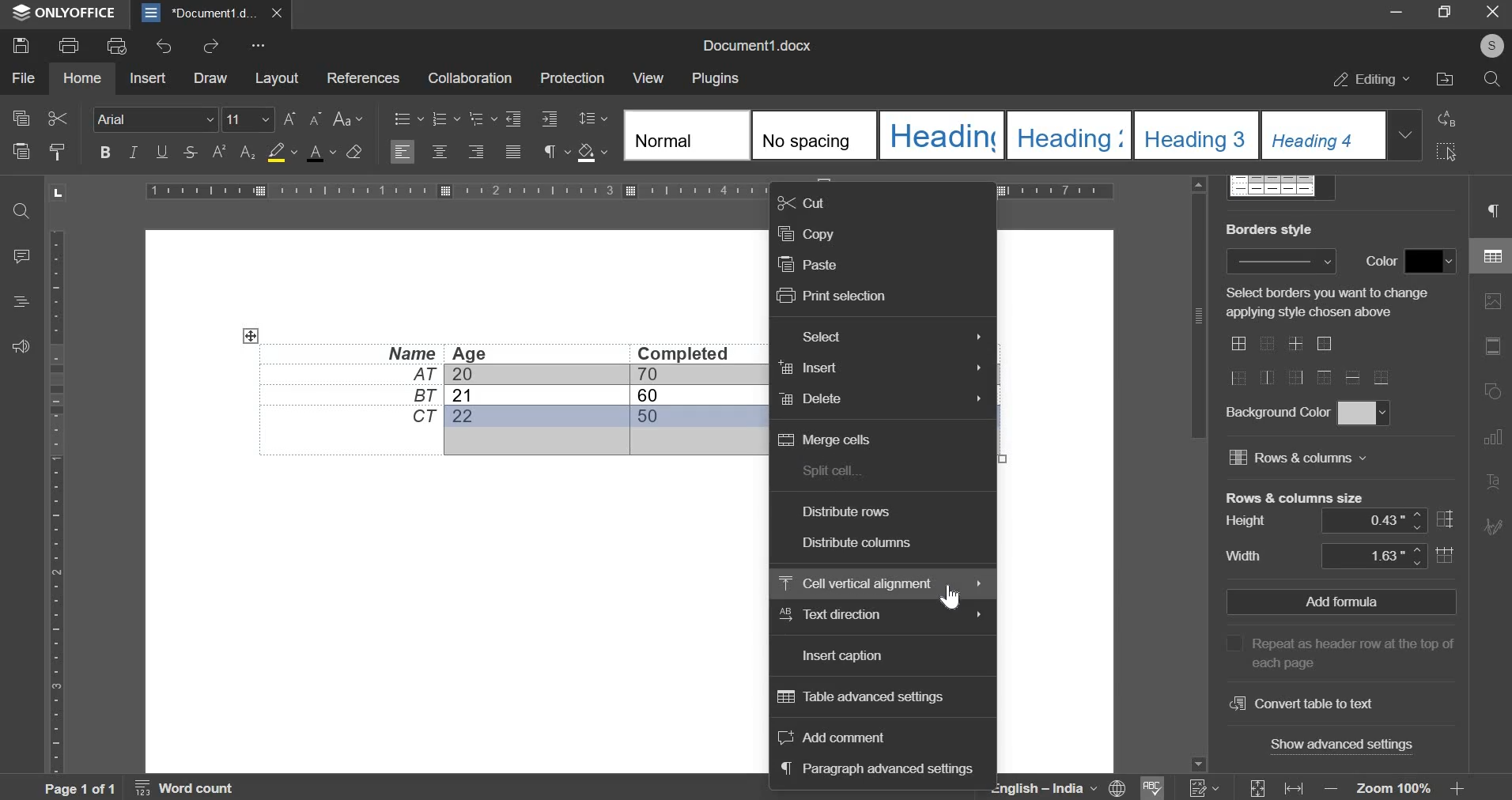 The height and width of the screenshot is (800, 1512). I want to click on home, so click(81, 77).